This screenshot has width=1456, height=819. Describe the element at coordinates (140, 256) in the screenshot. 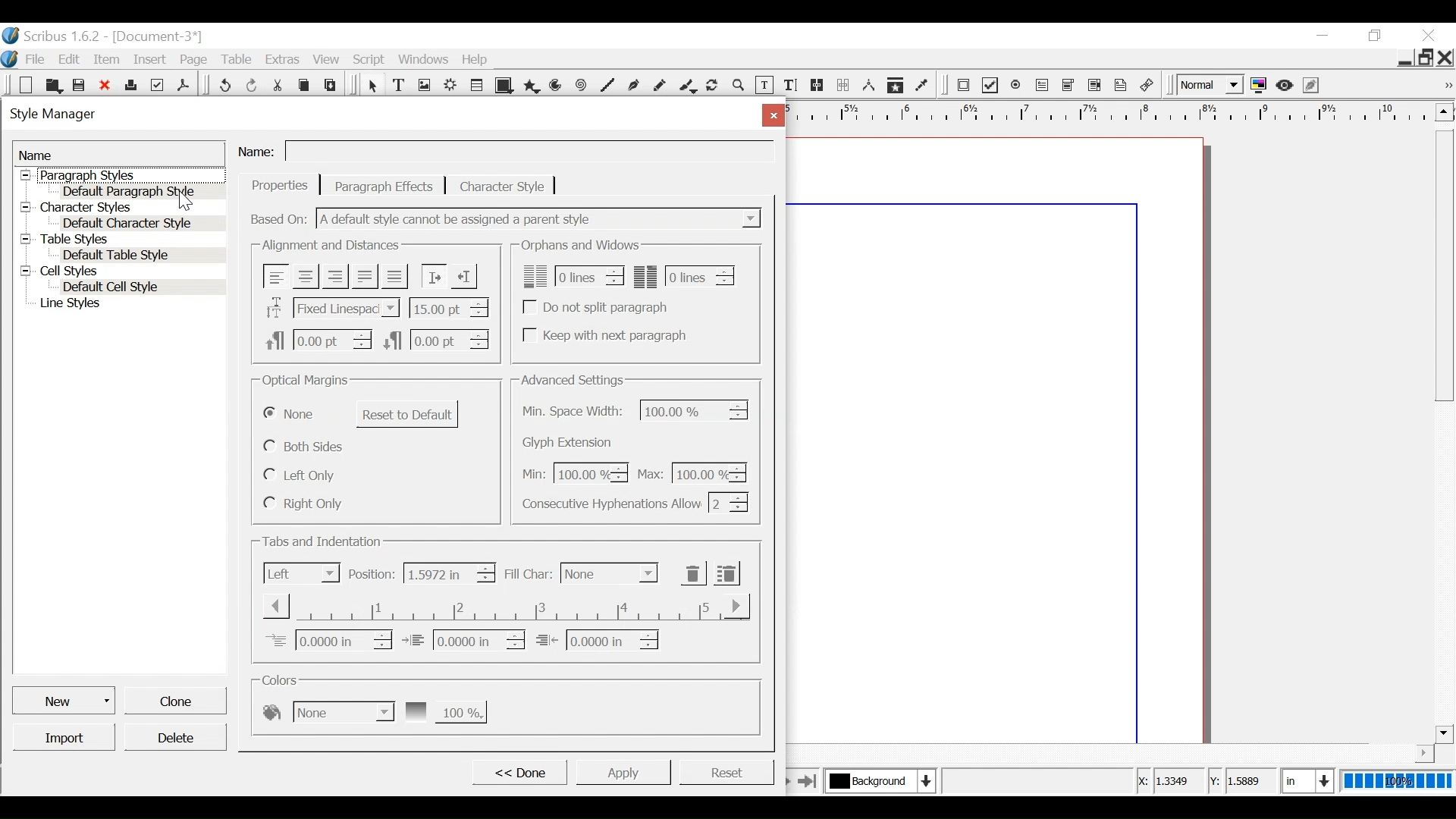

I see `Default Table Styles` at that location.